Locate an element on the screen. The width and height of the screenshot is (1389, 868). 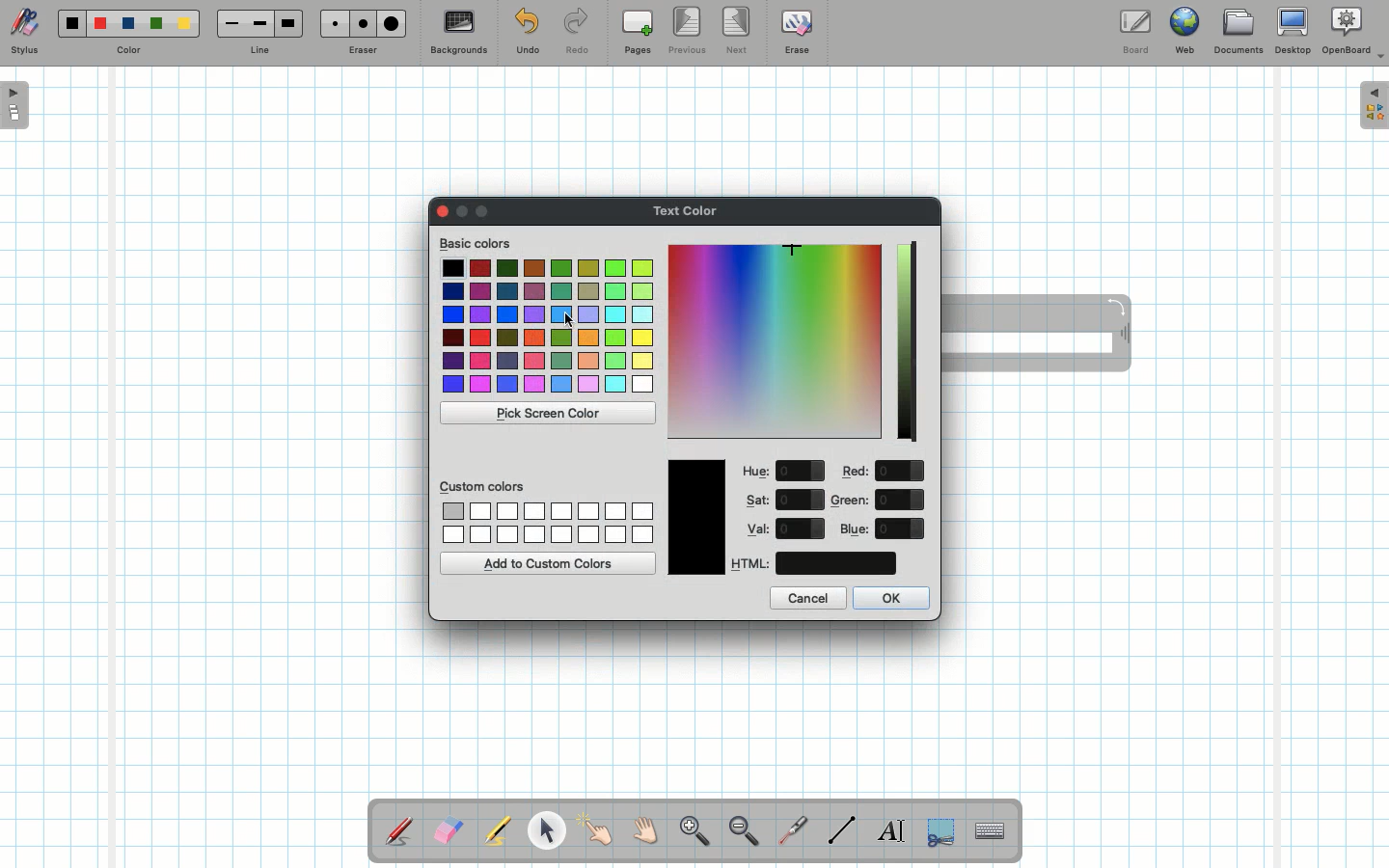
Text color is located at coordinates (688, 207).